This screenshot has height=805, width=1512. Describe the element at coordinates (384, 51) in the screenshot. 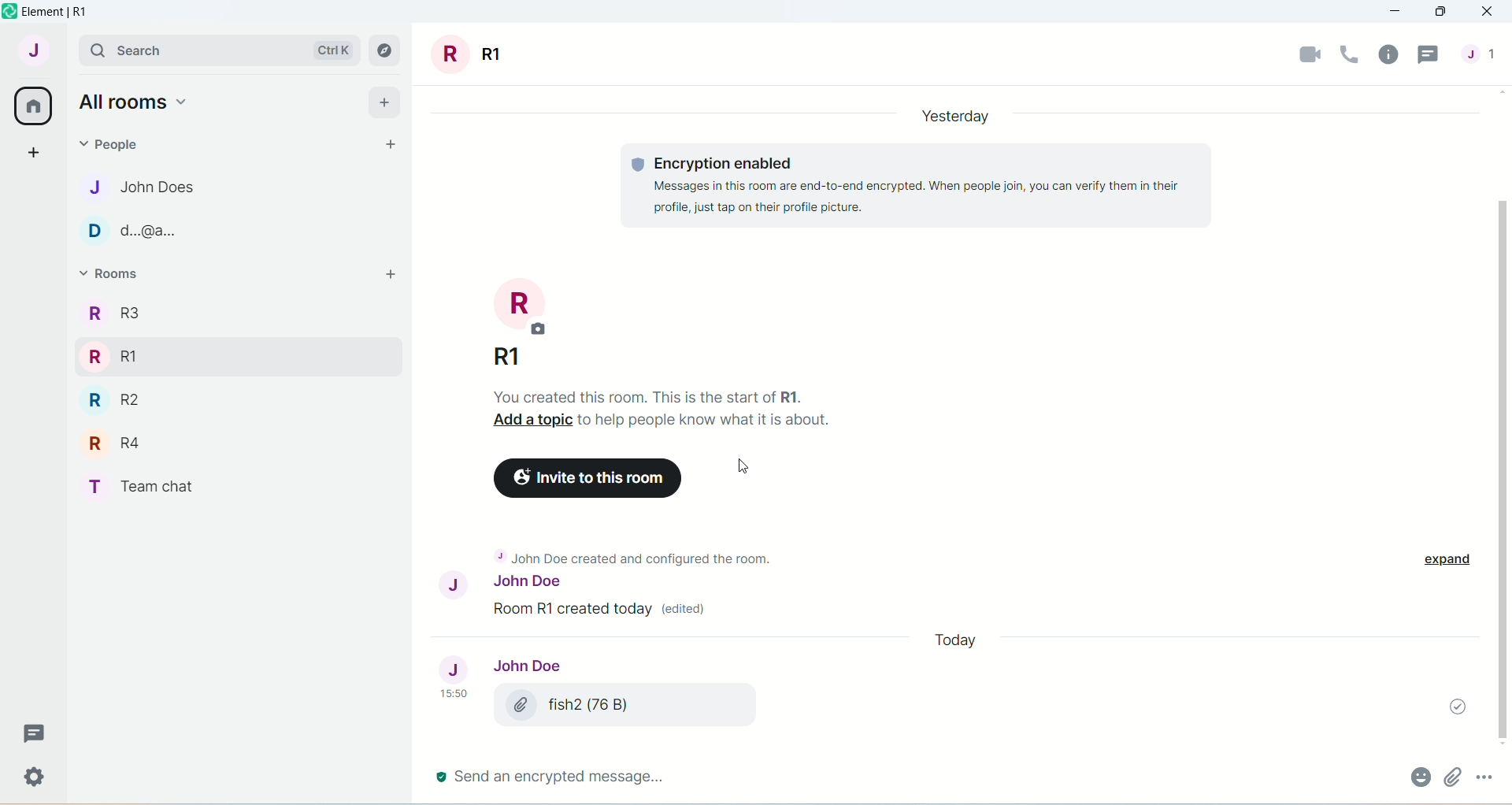

I see `explore rooms` at that location.